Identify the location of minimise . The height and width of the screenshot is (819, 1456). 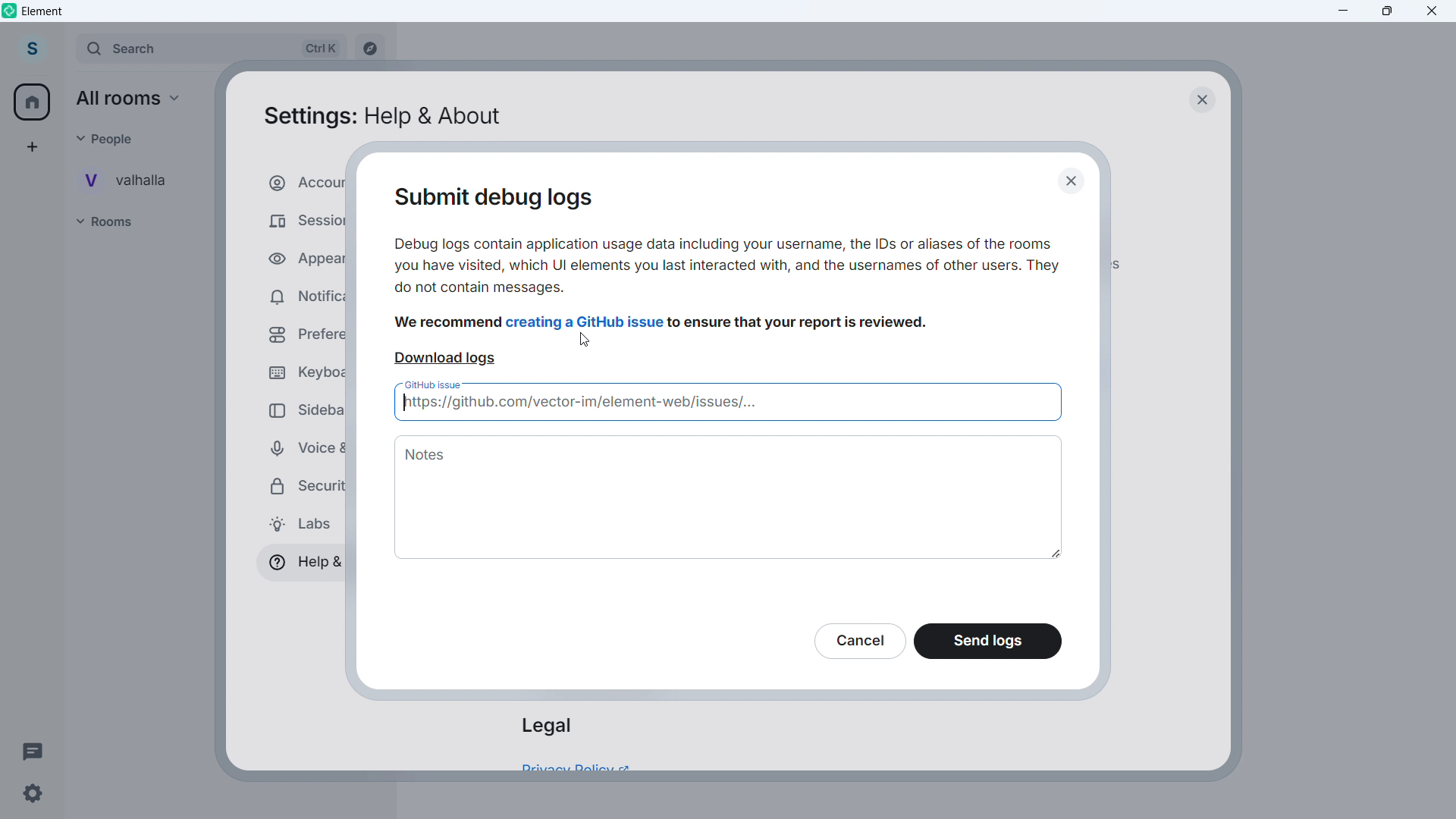
(1344, 11).